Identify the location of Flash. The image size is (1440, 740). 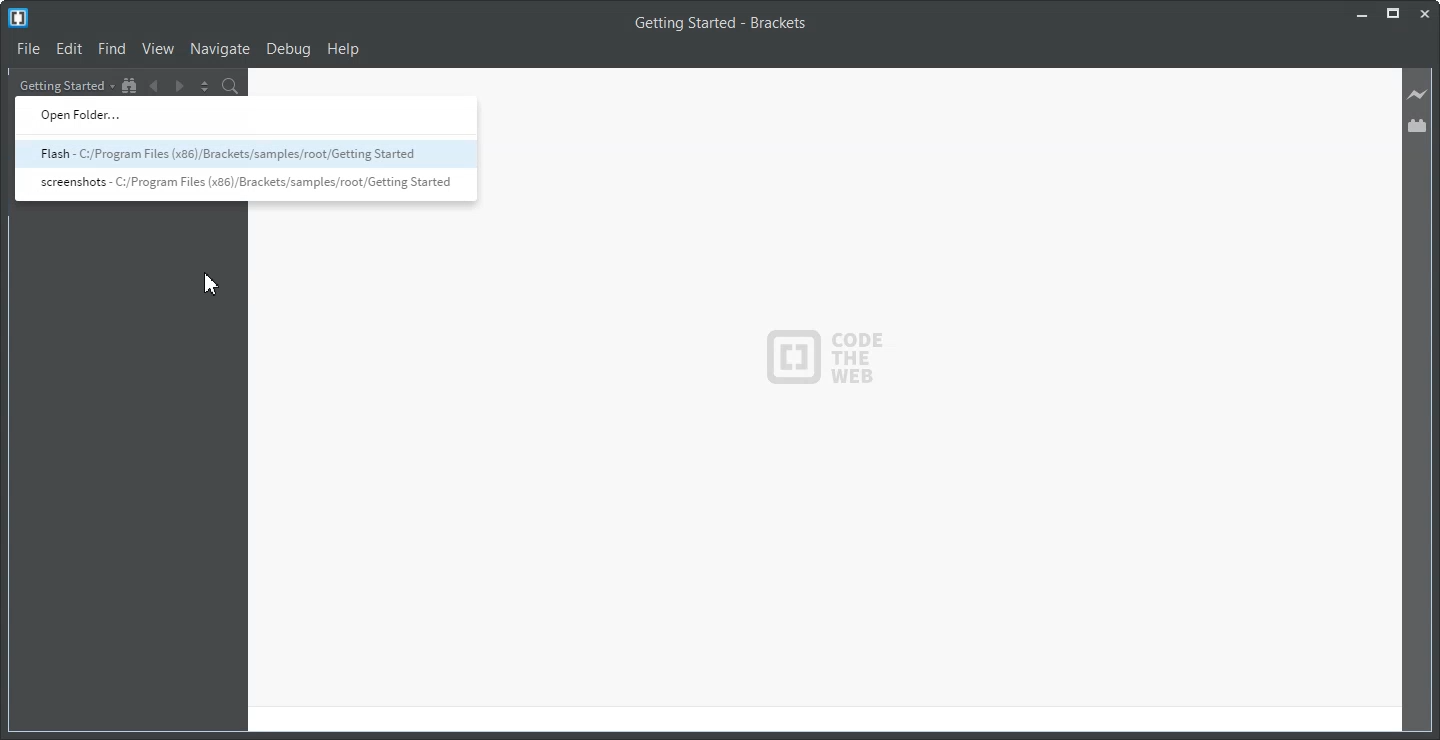
(244, 155).